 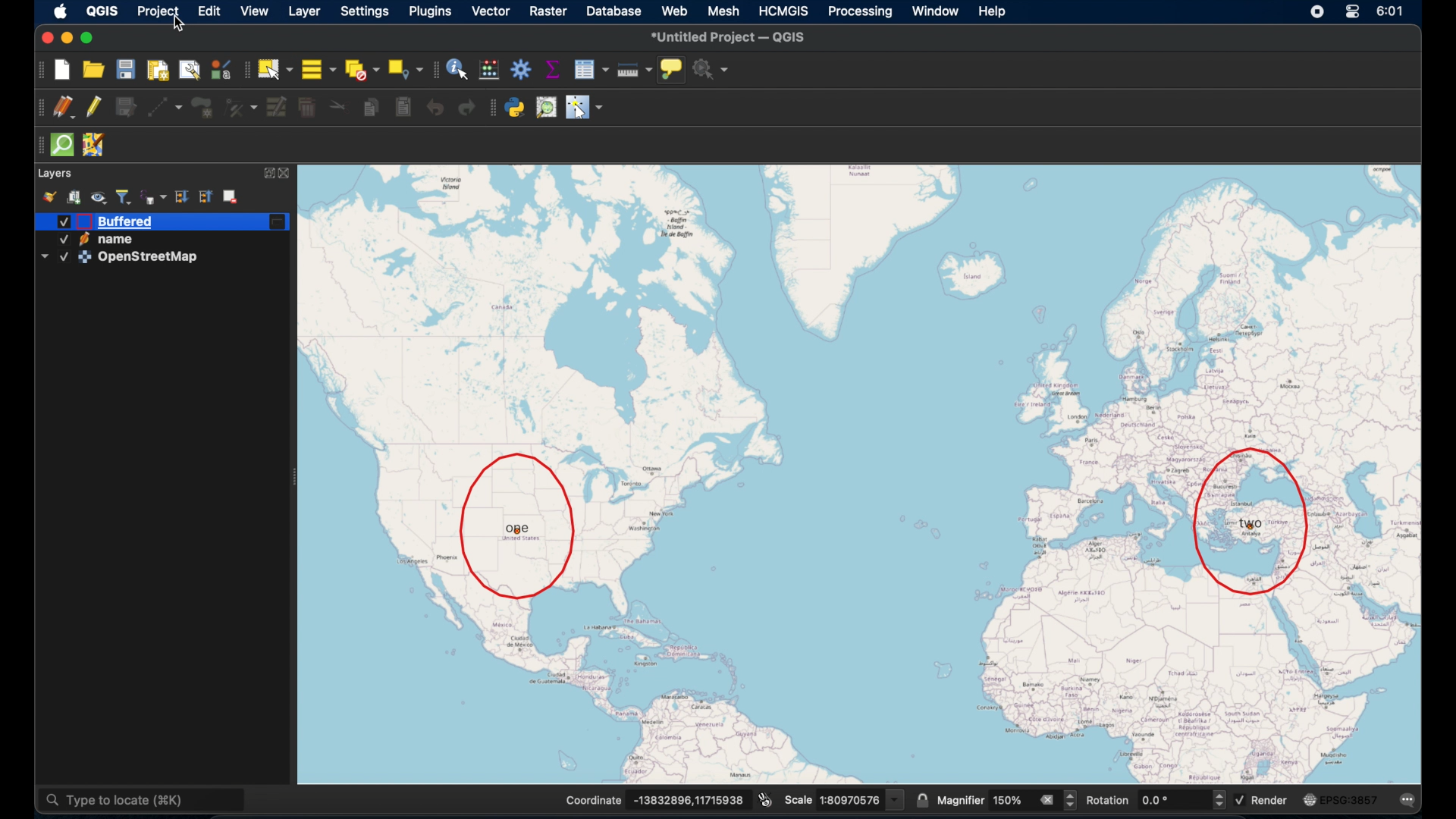 I want to click on manage map theme, so click(x=99, y=198).